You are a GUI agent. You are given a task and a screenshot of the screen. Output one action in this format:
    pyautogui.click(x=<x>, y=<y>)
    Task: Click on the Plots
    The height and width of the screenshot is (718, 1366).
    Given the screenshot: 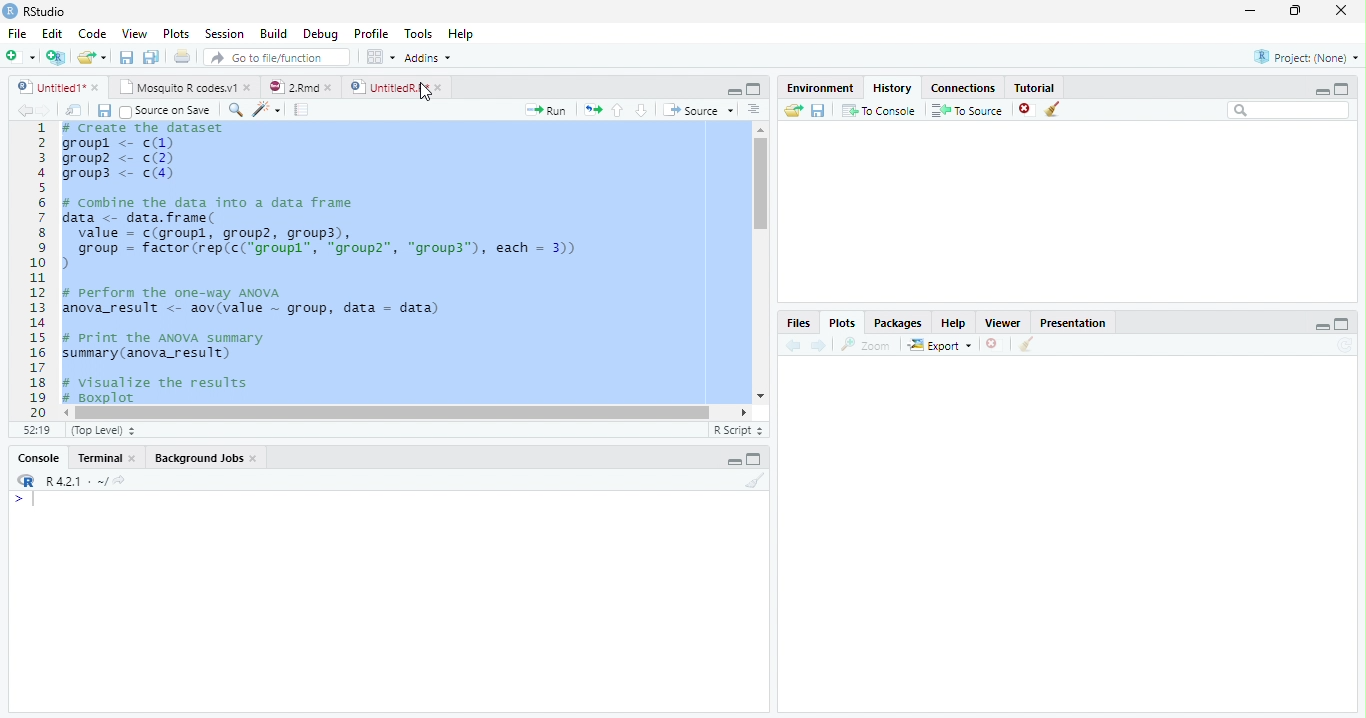 What is the action you would take?
    pyautogui.click(x=176, y=34)
    